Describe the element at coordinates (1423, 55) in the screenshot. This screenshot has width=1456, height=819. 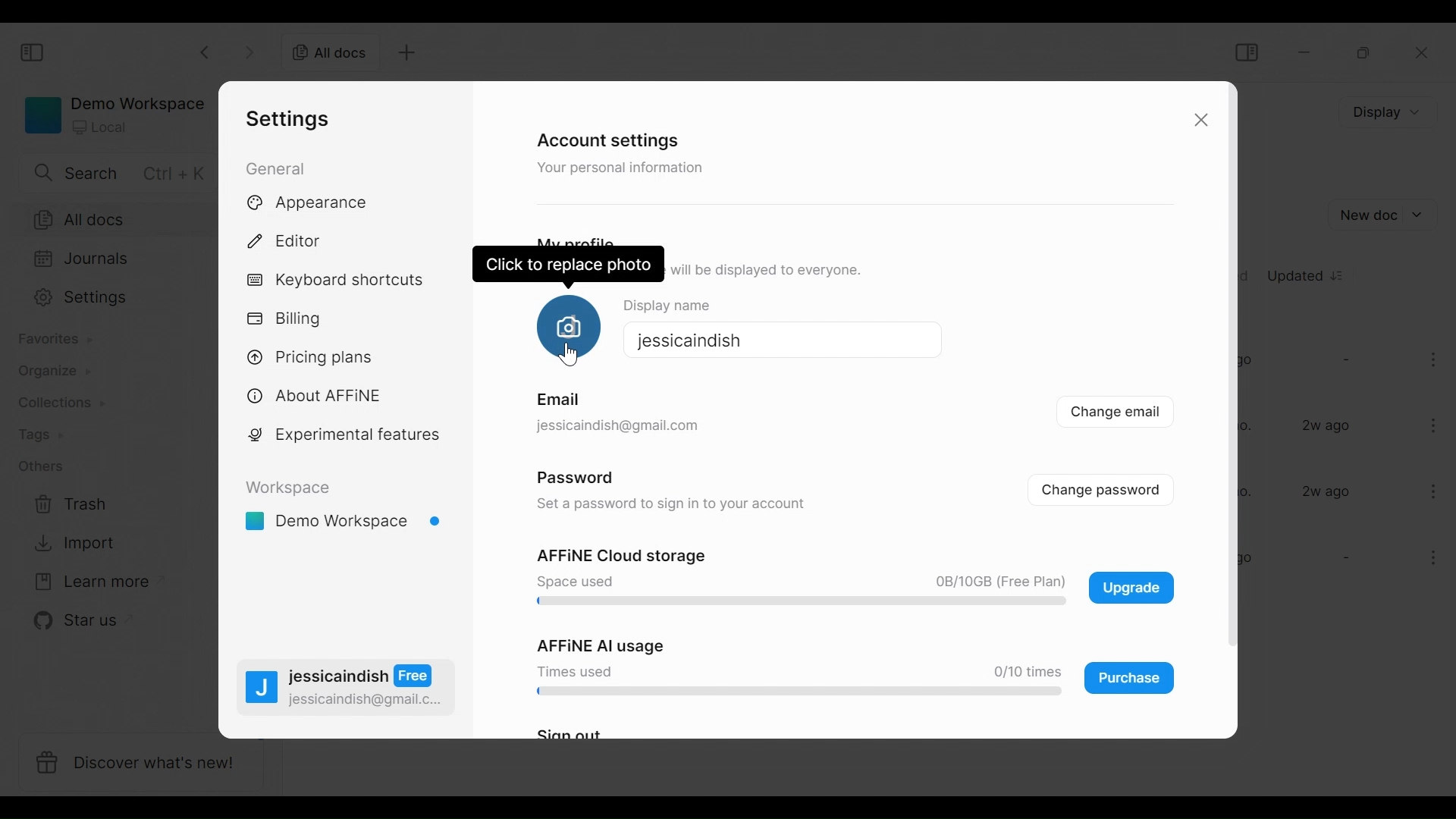
I see `Close` at that location.